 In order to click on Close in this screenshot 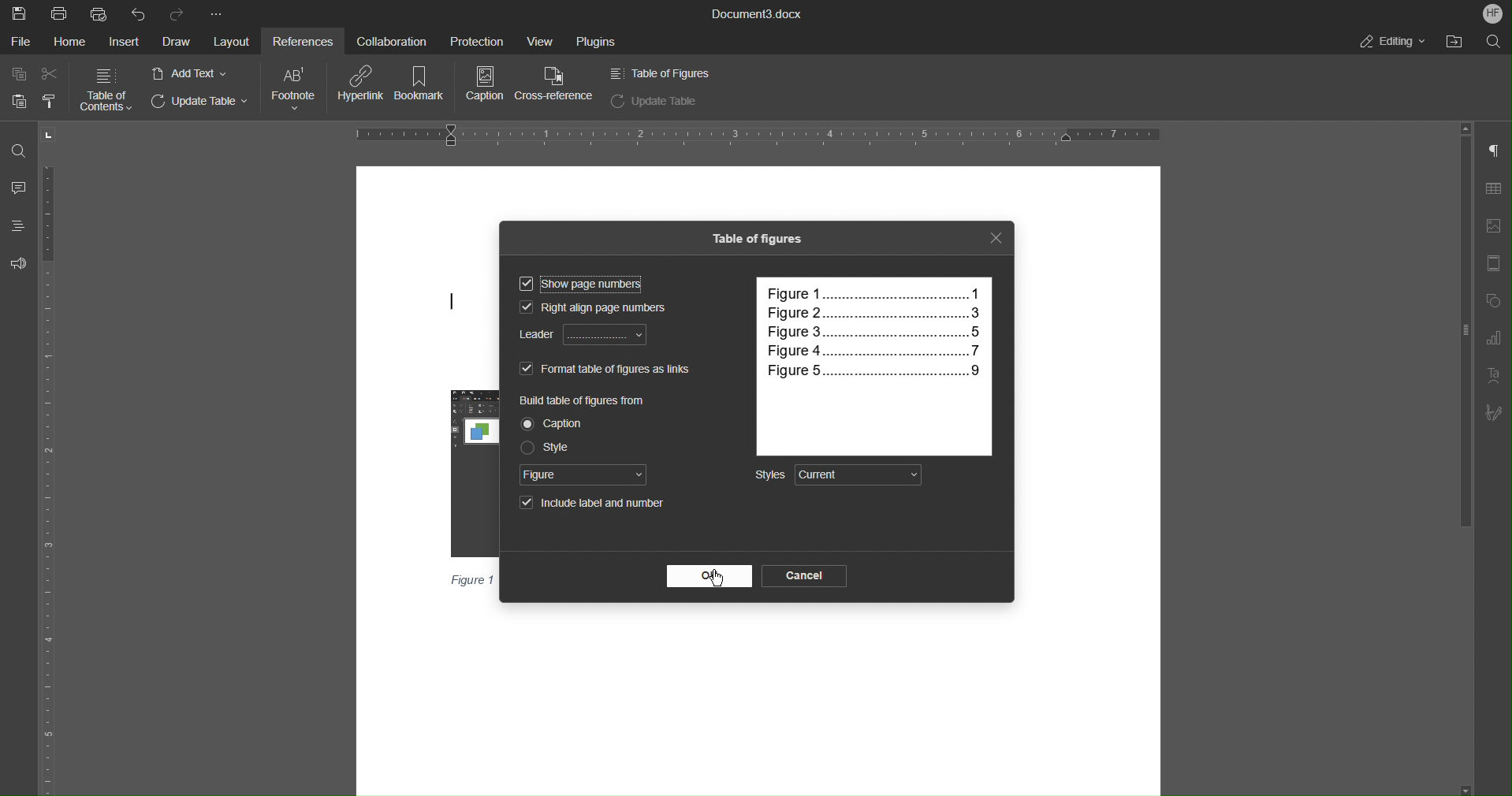, I will do `click(994, 240)`.